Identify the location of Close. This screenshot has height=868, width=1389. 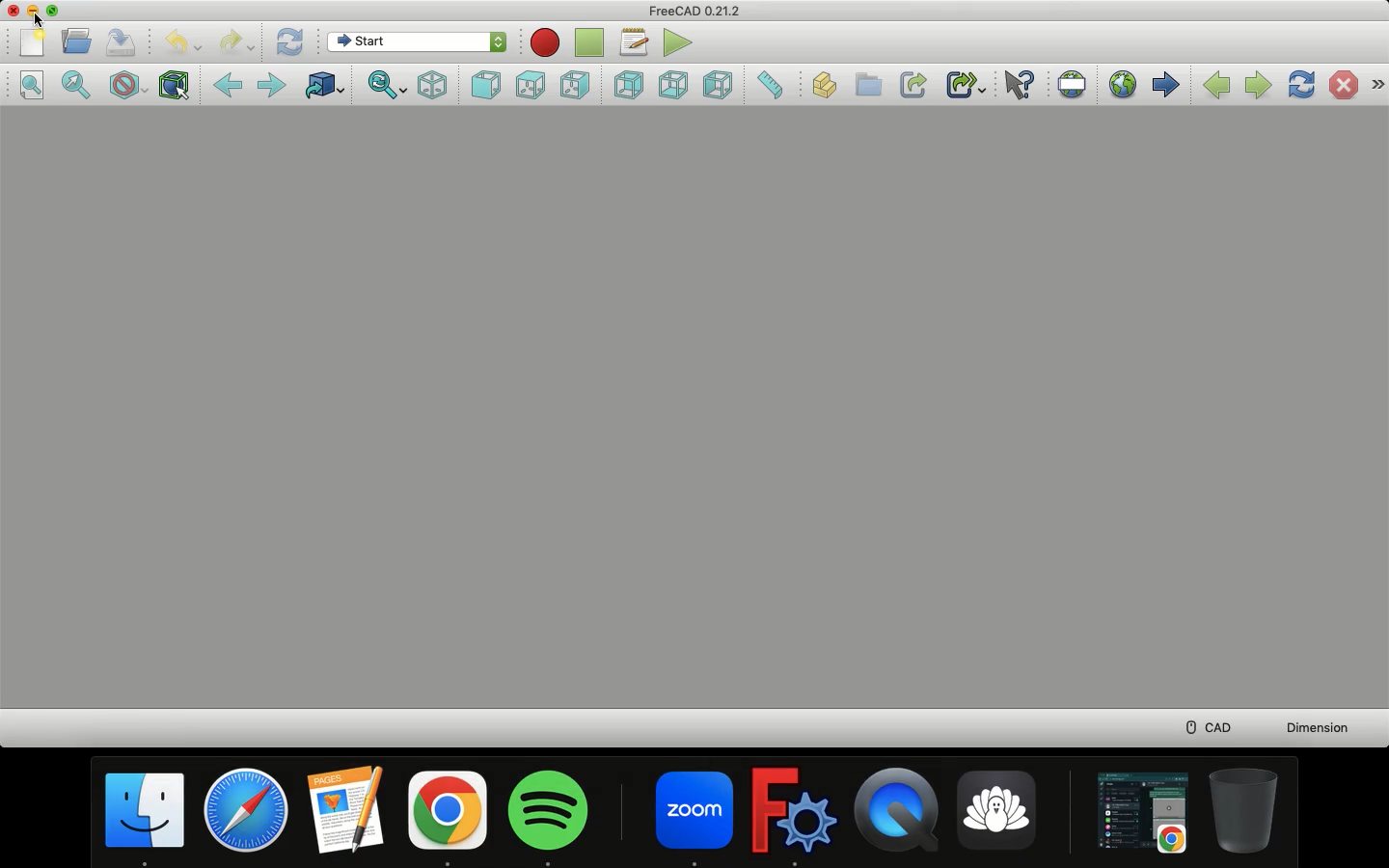
(15, 12).